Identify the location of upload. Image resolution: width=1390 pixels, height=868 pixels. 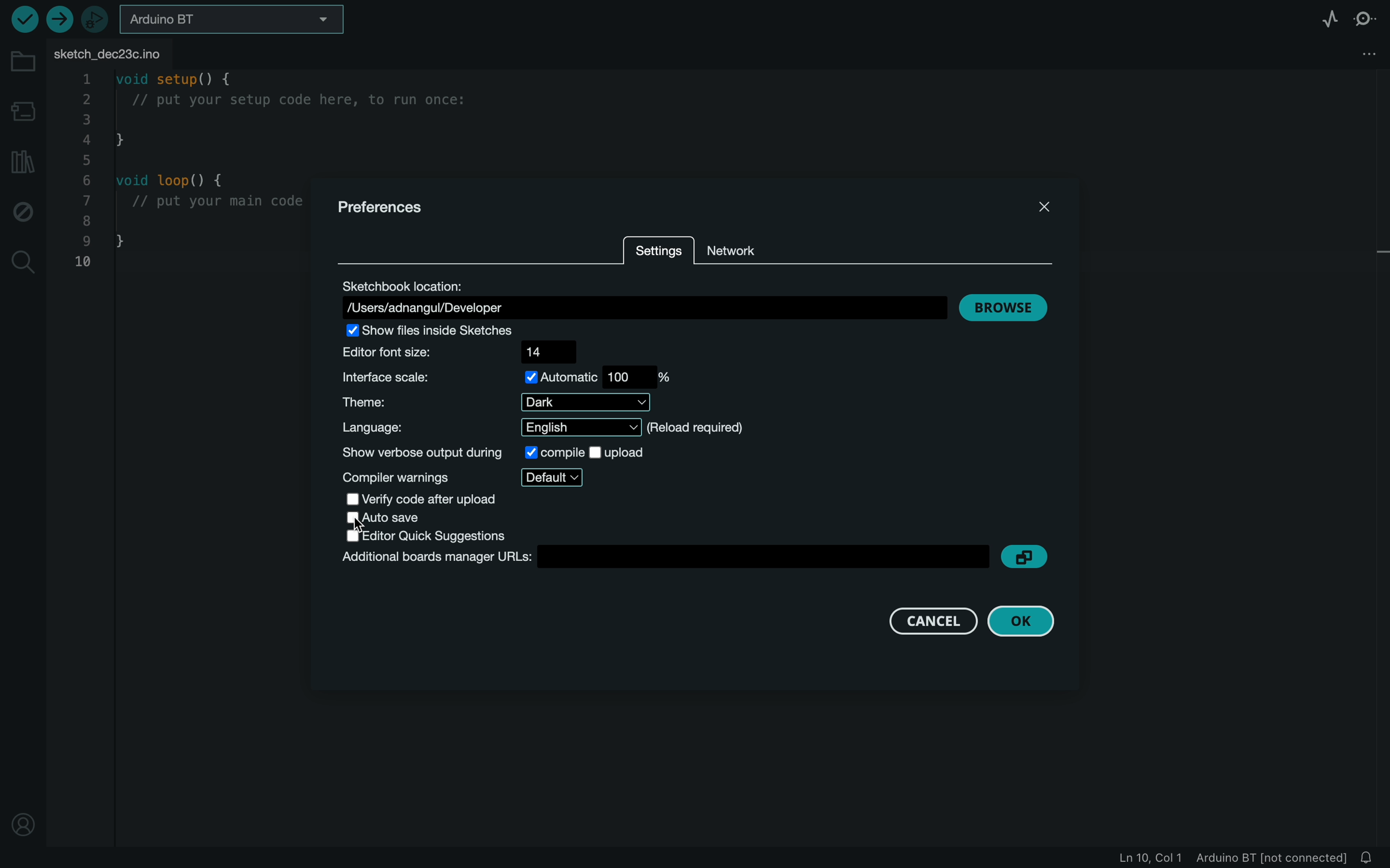
(59, 20).